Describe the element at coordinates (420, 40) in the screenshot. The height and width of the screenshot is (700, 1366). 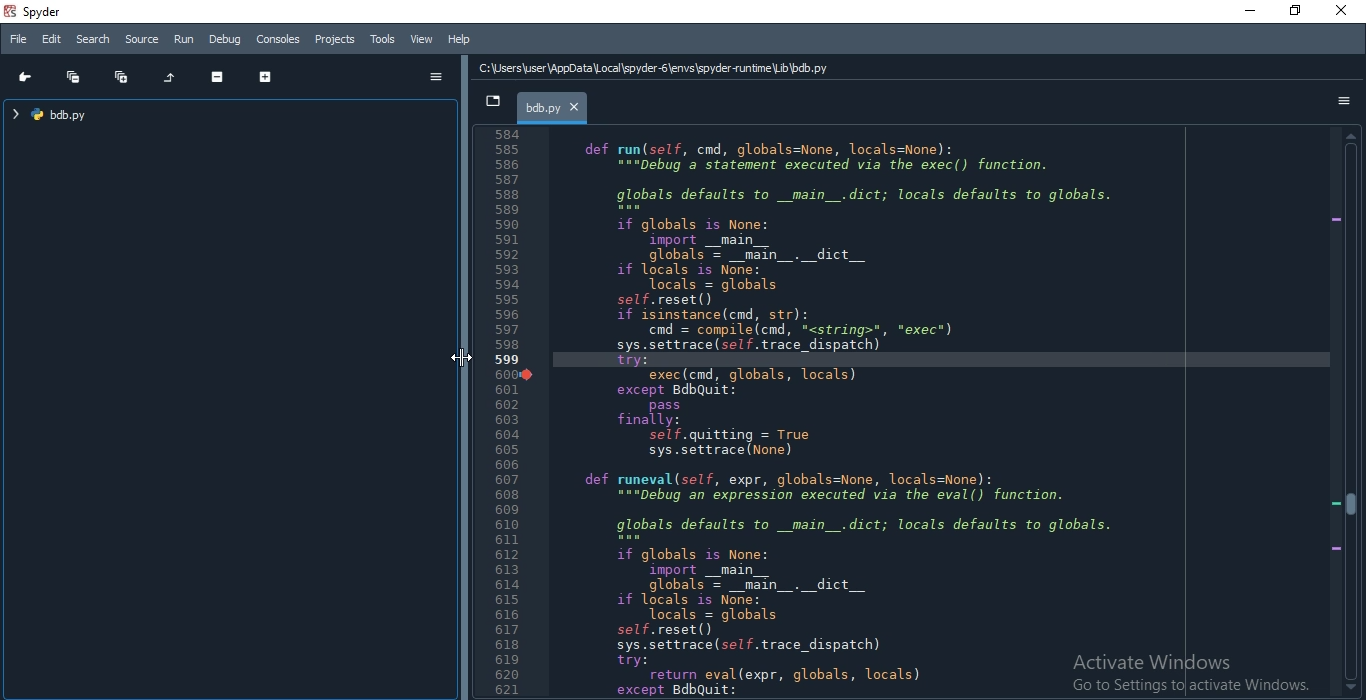
I see `View` at that location.